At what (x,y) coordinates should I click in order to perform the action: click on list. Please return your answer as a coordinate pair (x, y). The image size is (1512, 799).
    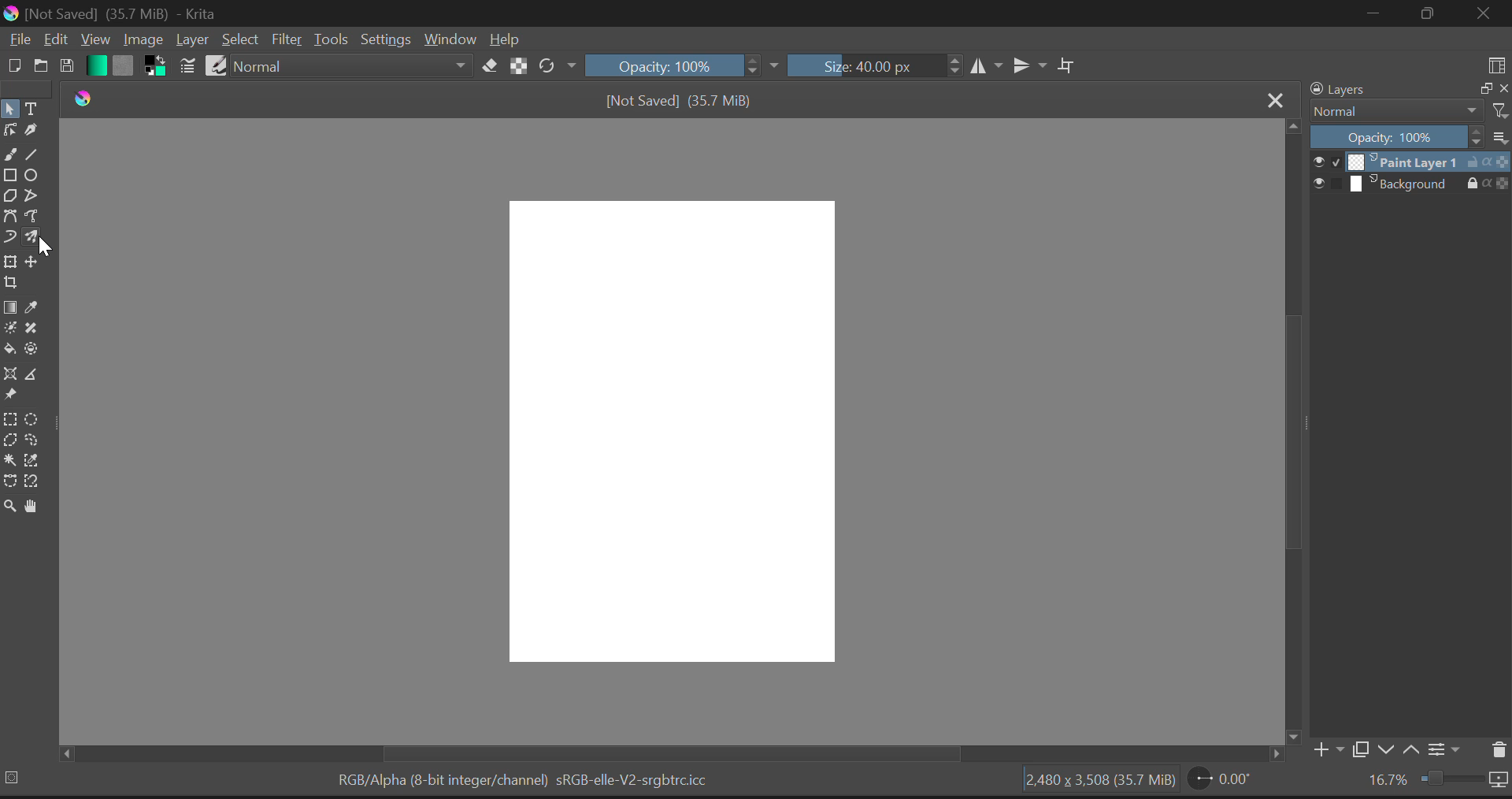
    Looking at the image, I should click on (1499, 137).